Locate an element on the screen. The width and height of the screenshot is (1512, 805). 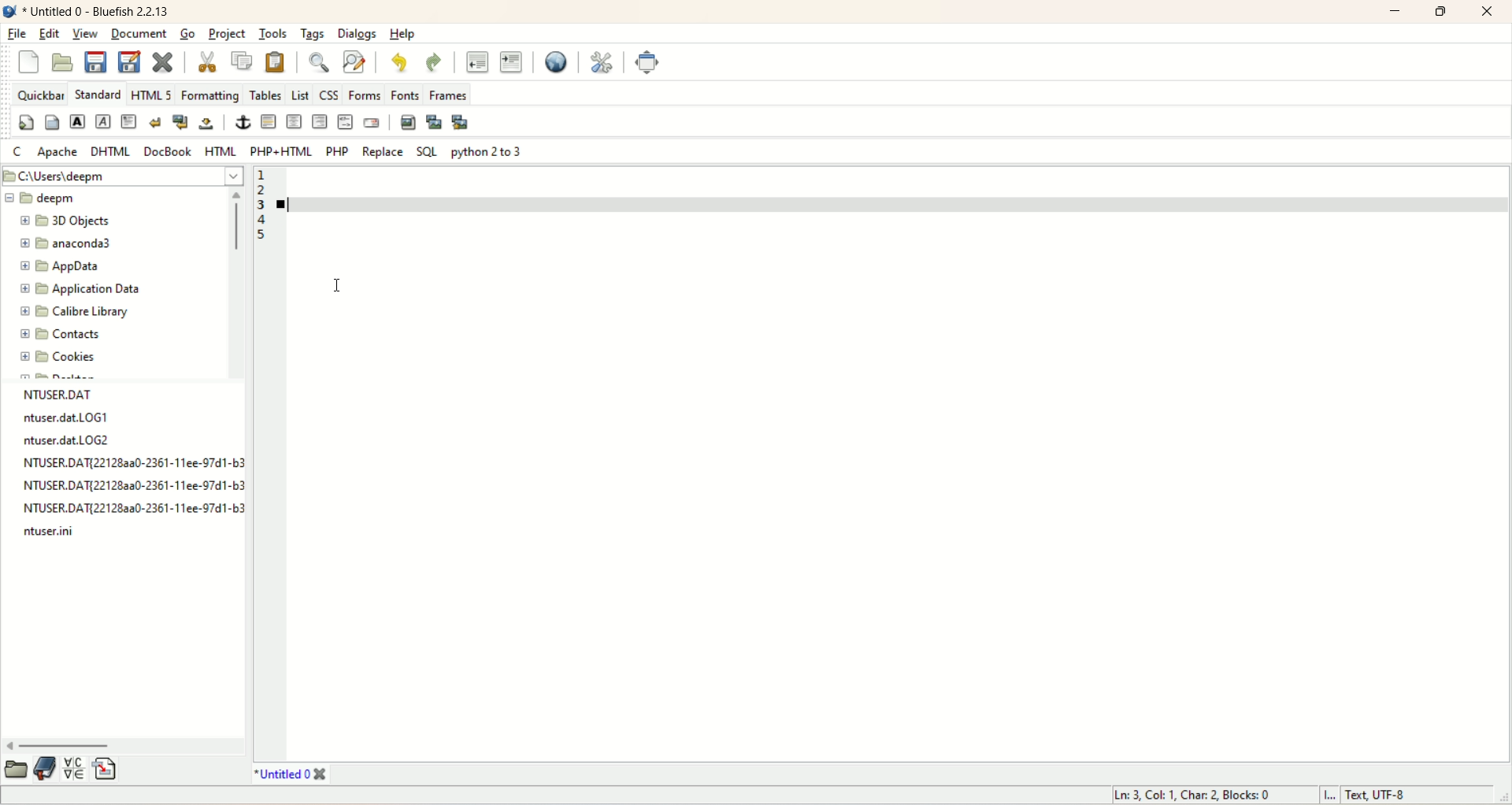
calibre is located at coordinates (71, 313).